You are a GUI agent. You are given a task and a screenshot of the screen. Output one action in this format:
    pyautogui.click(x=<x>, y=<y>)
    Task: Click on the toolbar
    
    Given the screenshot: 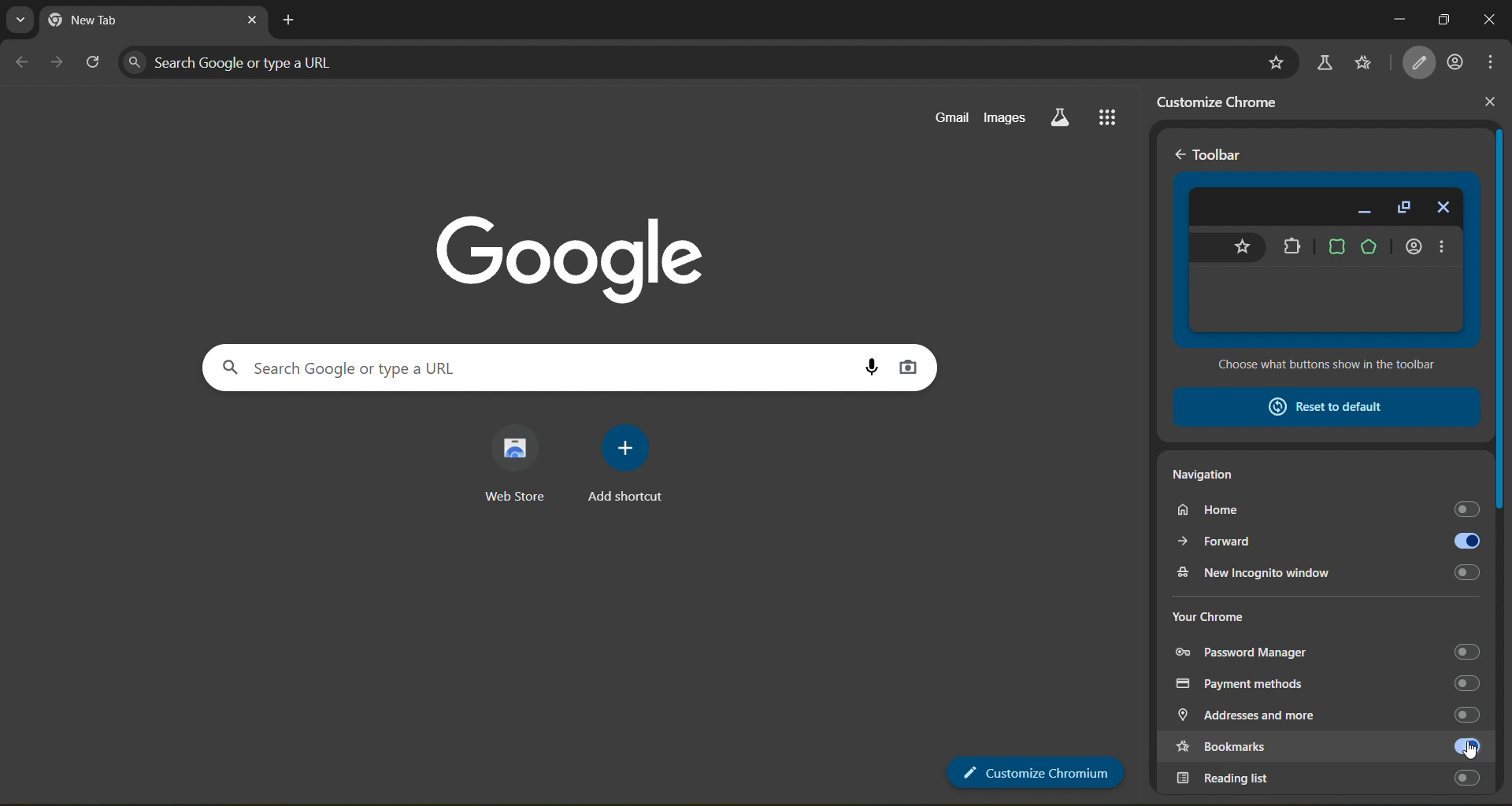 What is the action you would take?
    pyautogui.click(x=1327, y=273)
    